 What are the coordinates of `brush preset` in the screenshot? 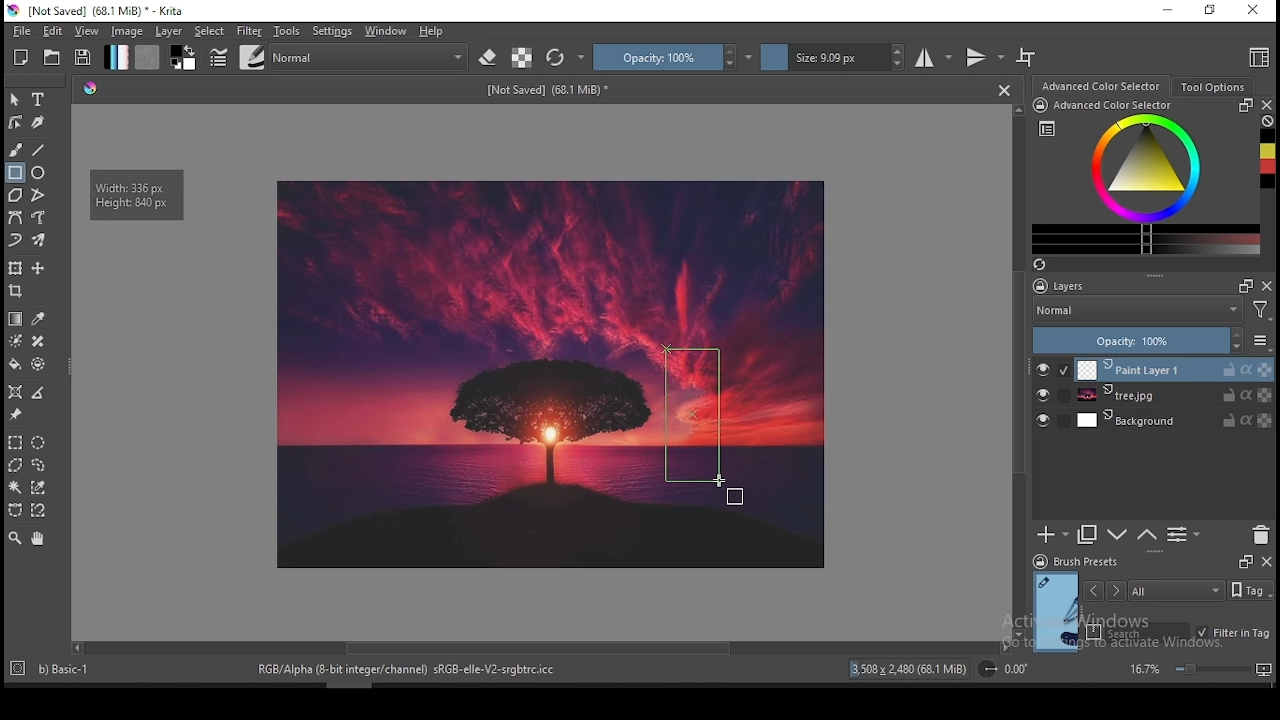 It's located at (1075, 561).